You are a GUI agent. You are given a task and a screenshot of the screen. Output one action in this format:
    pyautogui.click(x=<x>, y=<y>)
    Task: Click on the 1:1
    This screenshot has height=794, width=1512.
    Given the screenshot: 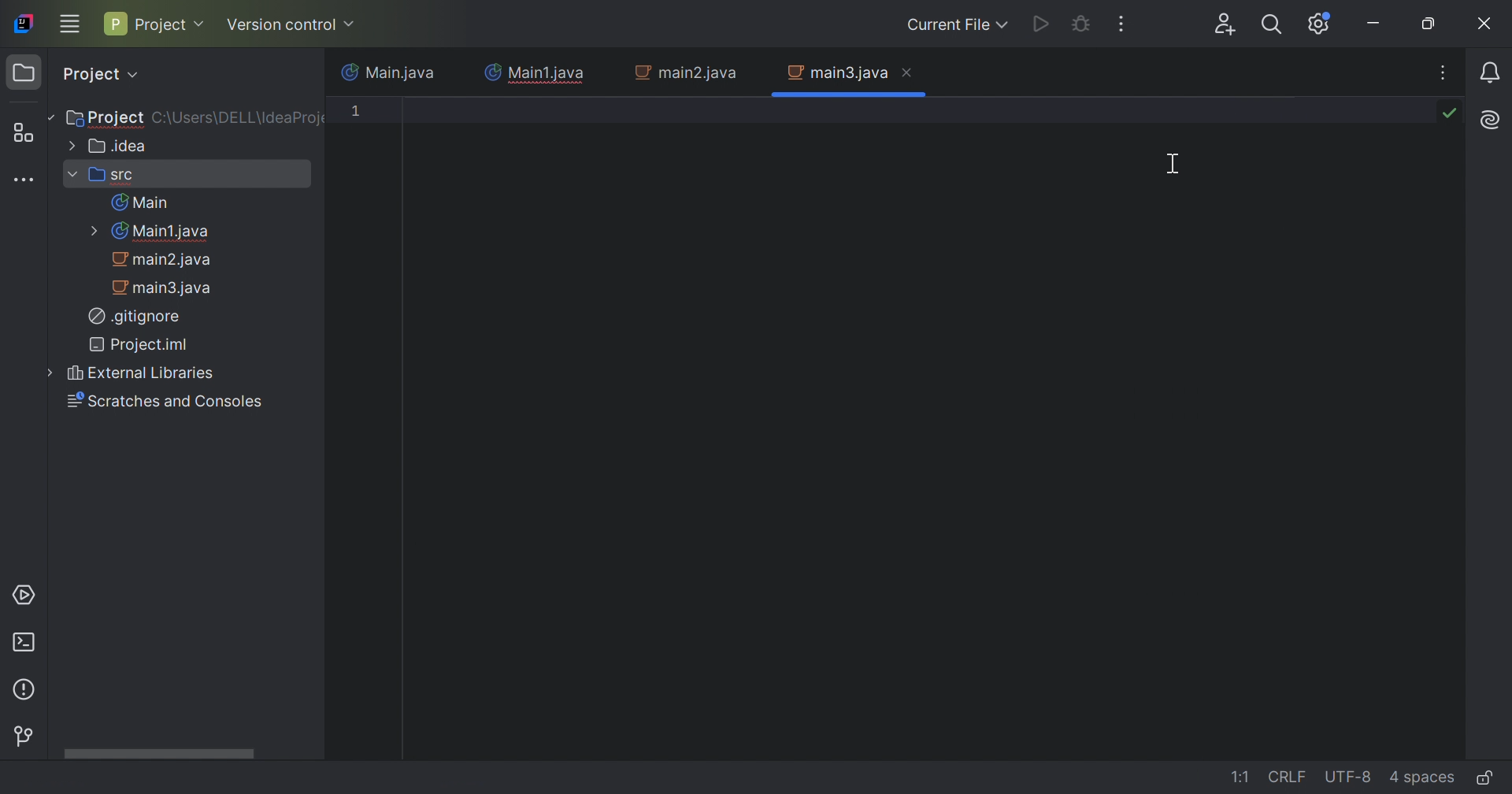 What is the action you would take?
    pyautogui.click(x=1241, y=777)
    